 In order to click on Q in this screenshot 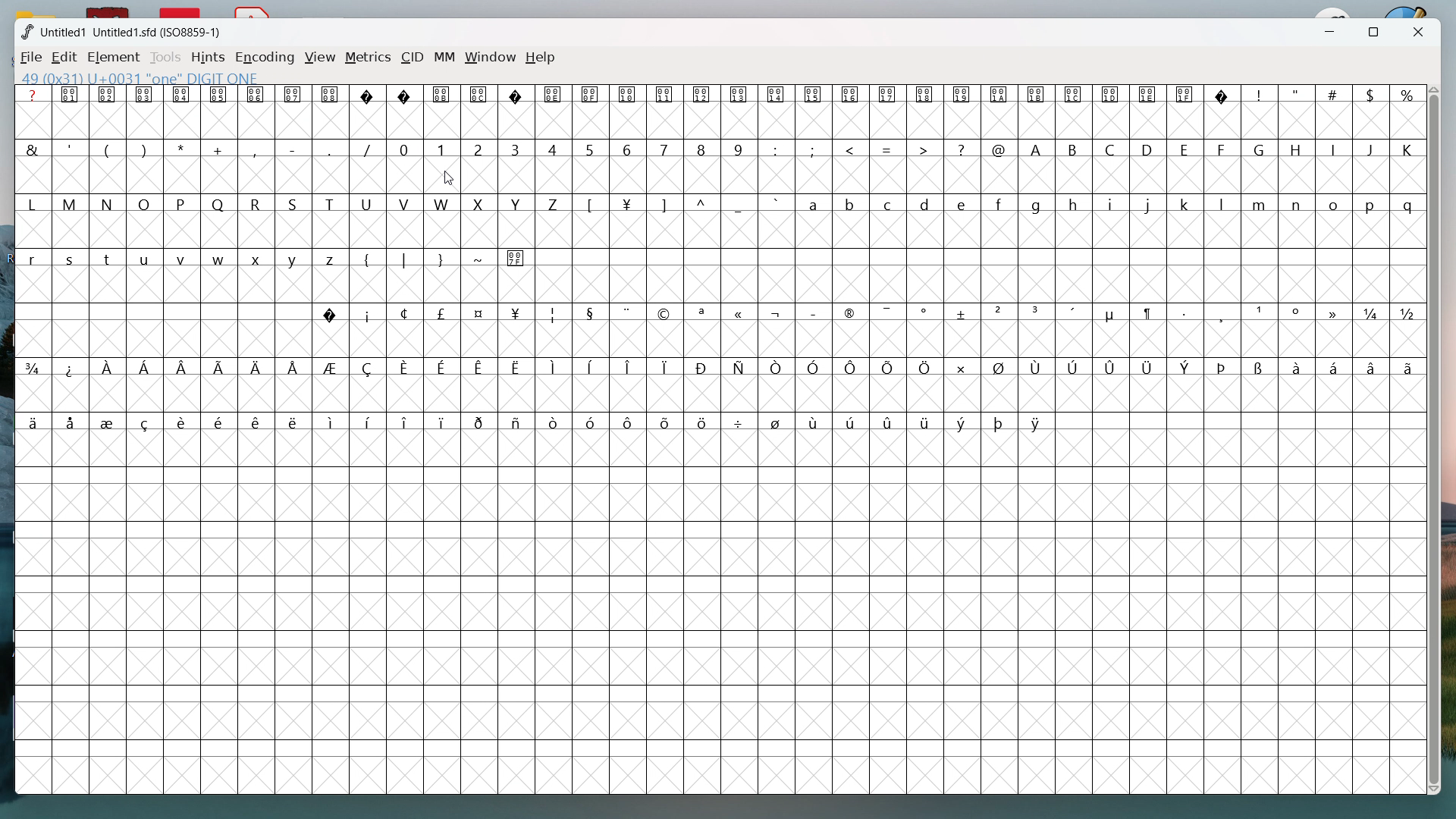, I will do `click(221, 203)`.